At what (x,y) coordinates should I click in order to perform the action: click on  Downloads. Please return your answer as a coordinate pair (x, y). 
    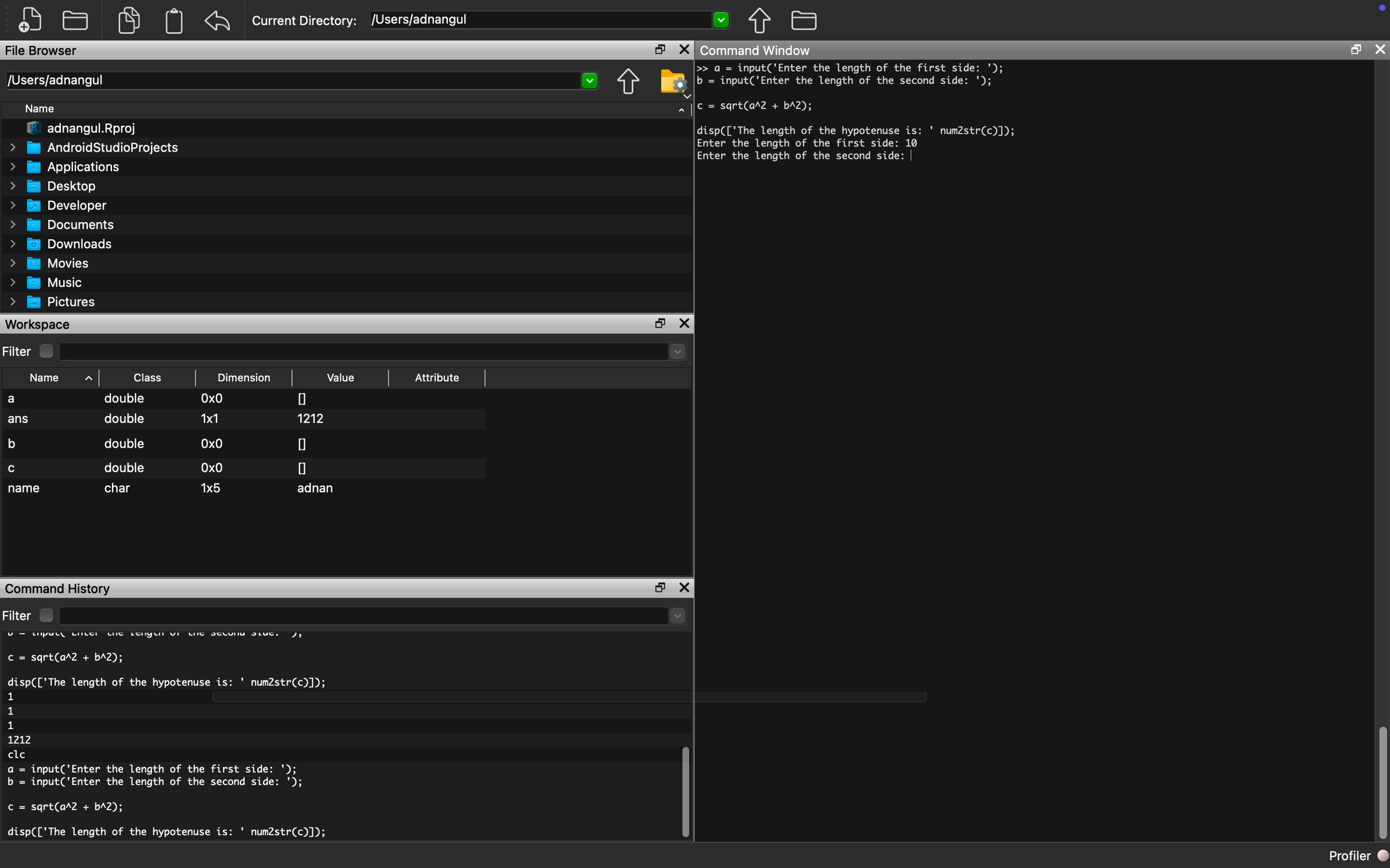
    Looking at the image, I should click on (67, 243).